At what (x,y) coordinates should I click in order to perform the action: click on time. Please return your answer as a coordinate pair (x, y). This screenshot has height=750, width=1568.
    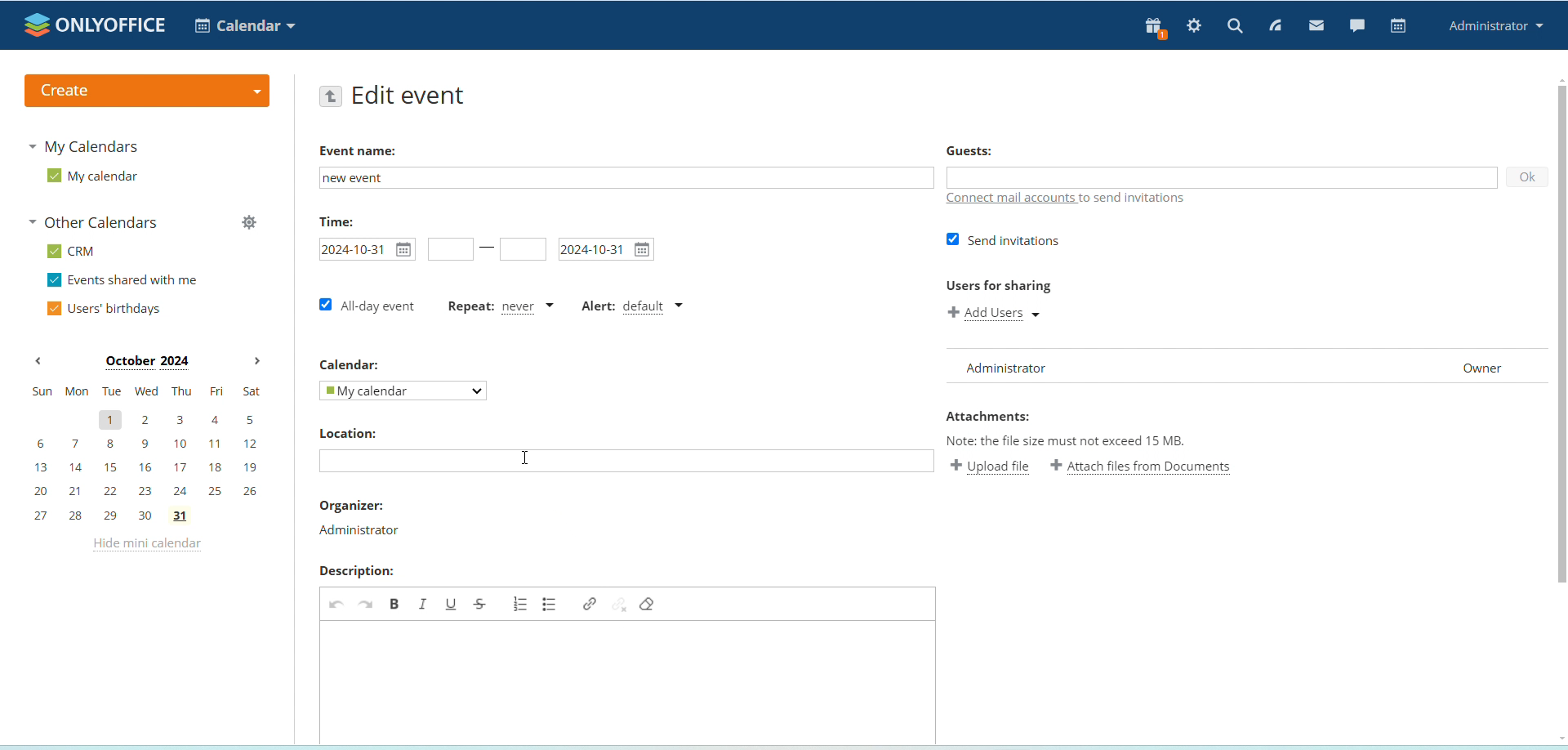
    Looking at the image, I should click on (336, 221).